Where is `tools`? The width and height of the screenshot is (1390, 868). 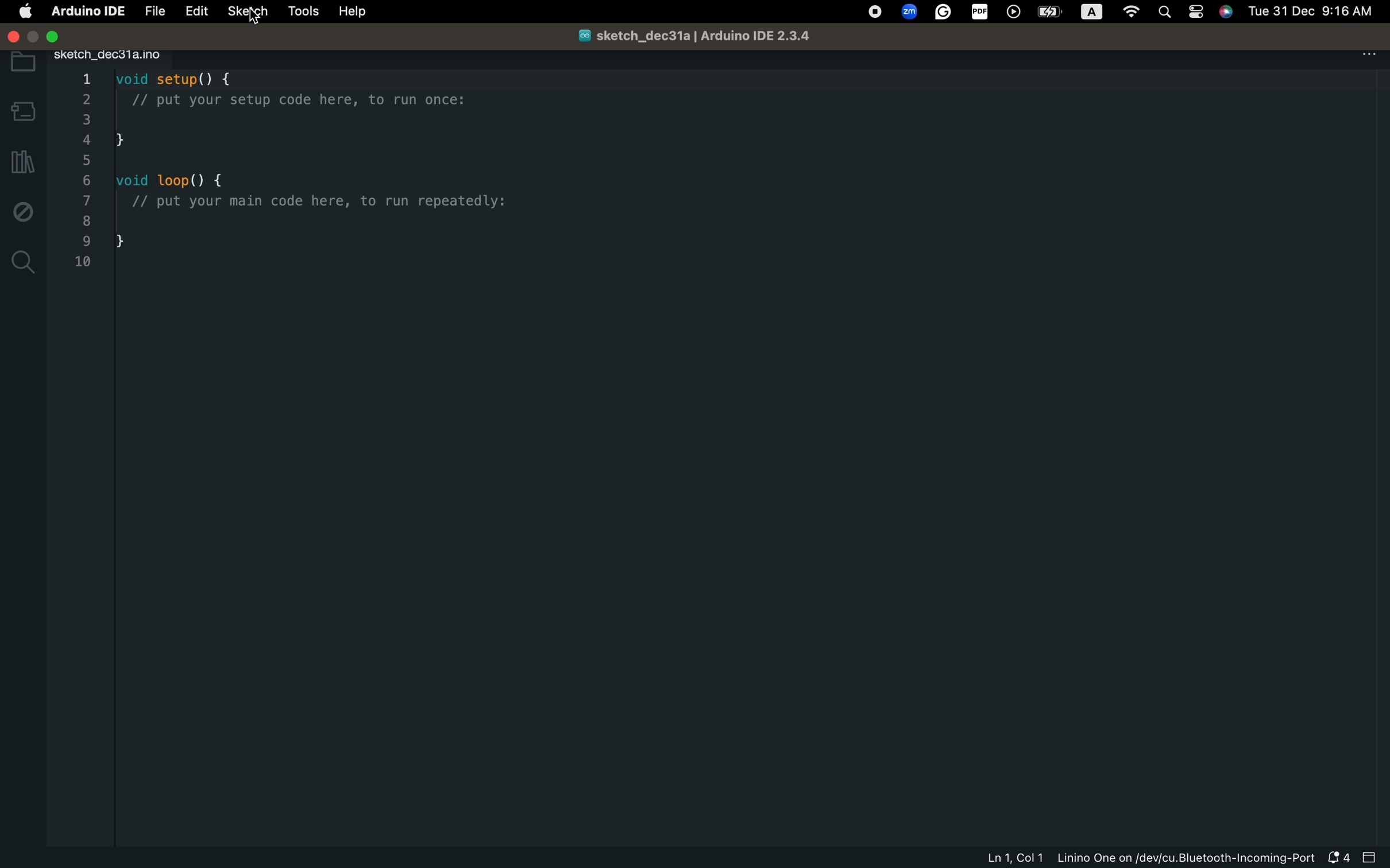 tools is located at coordinates (305, 10).